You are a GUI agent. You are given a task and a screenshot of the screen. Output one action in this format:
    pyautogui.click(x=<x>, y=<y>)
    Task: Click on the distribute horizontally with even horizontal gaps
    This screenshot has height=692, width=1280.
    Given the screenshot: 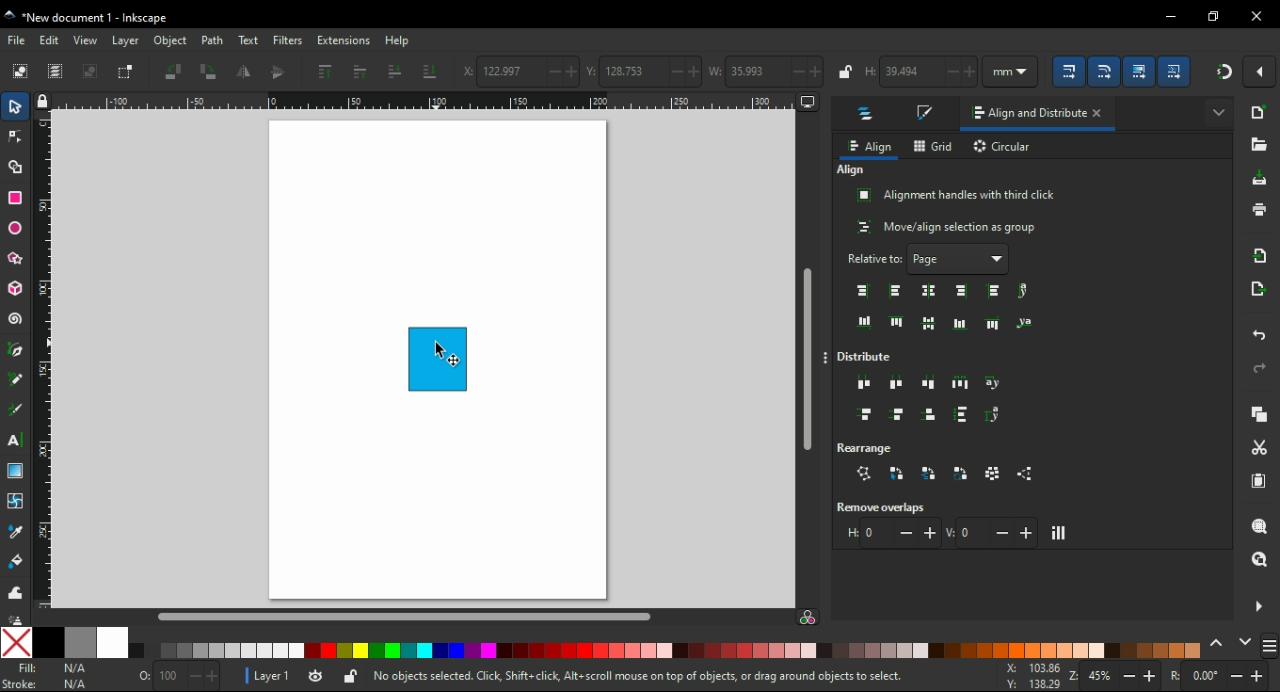 What is the action you would take?
    pyautogui.click(x=962, y=385)
    